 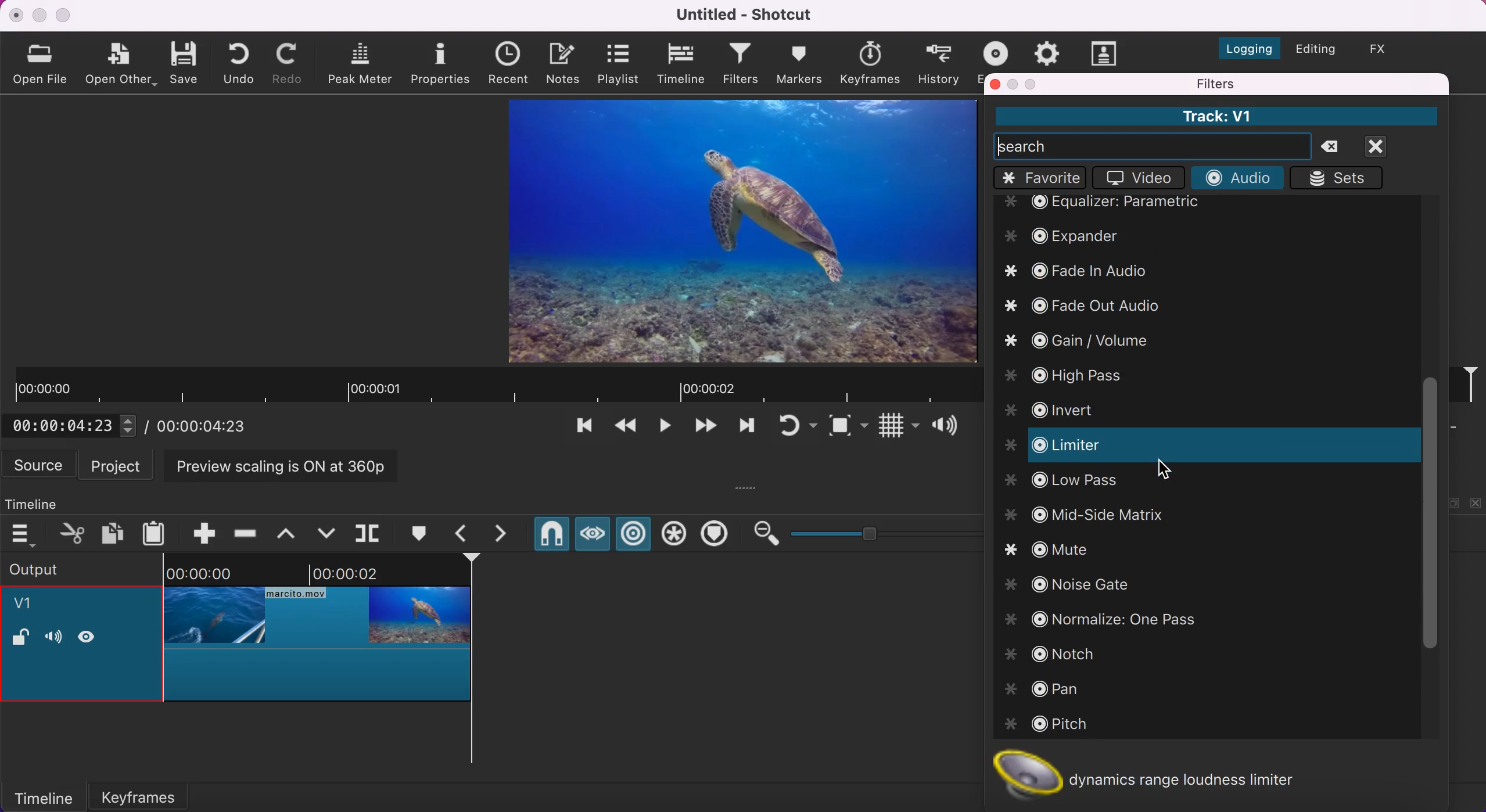 I want to click on close, so click(x=17, y=15).